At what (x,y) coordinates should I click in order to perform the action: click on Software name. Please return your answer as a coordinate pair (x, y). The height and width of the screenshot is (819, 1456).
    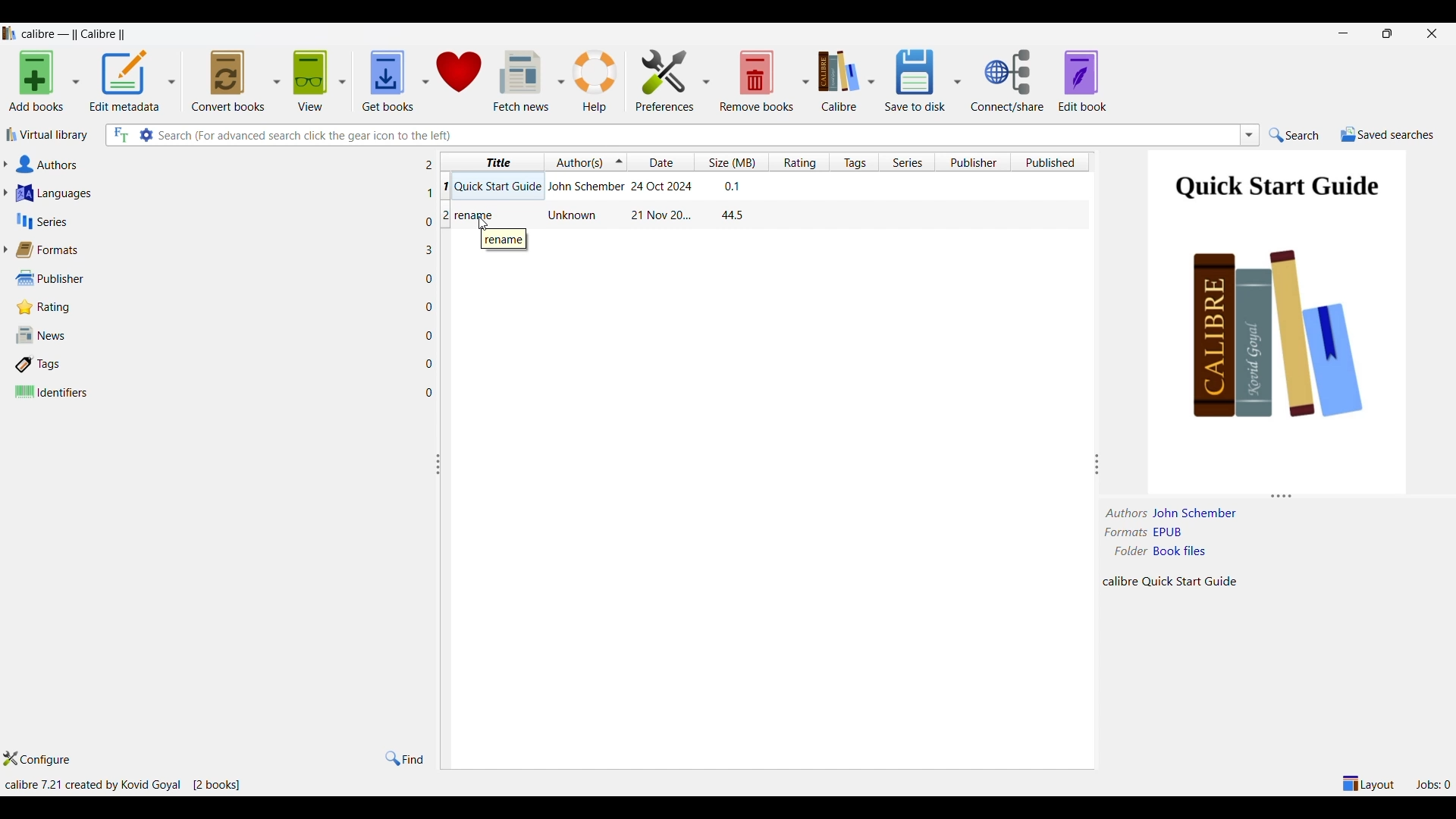
    Looking at the image, I should click on (77, 36).